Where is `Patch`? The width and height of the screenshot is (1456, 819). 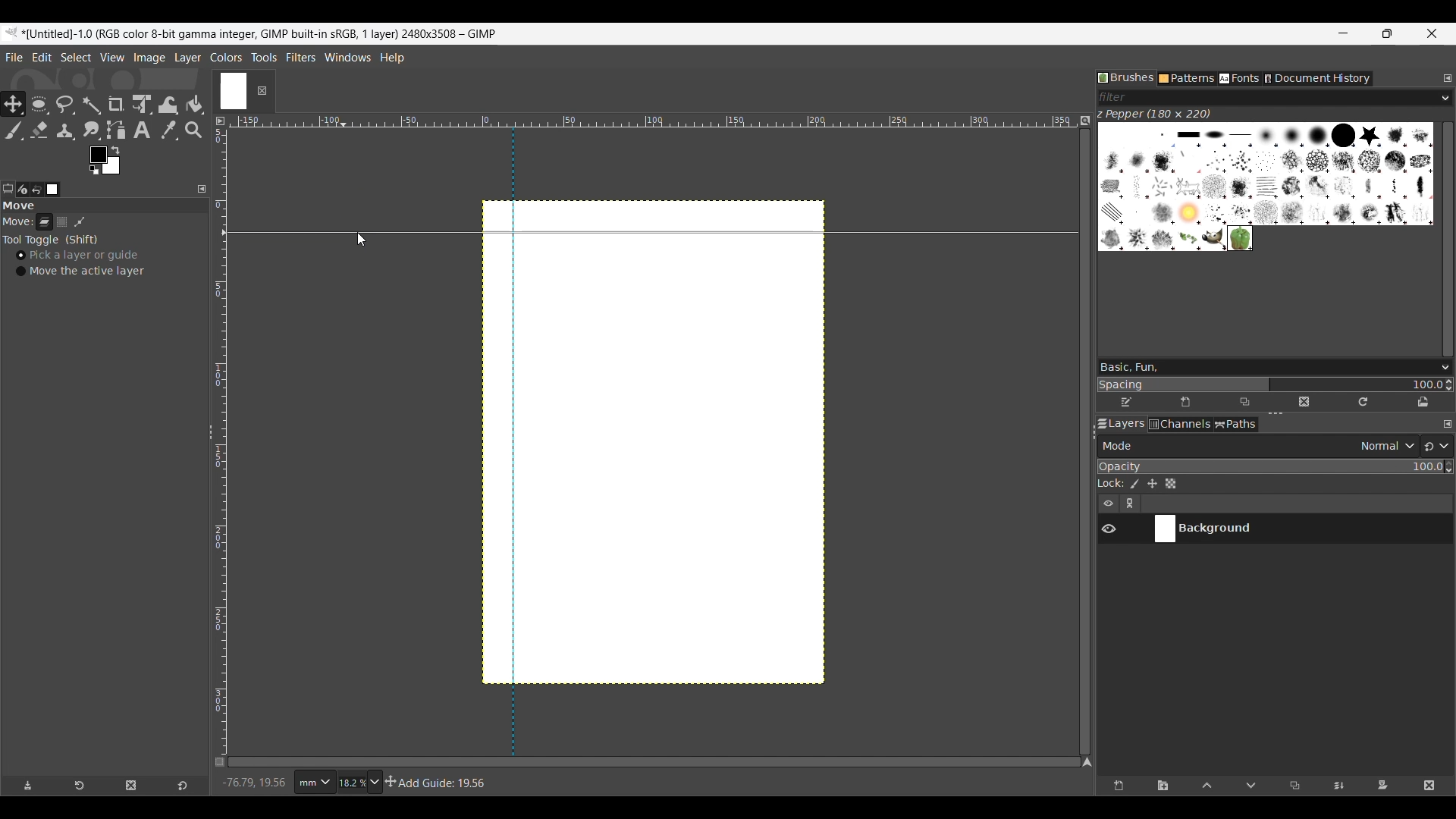
Patch is located at coordinates (85, 222).